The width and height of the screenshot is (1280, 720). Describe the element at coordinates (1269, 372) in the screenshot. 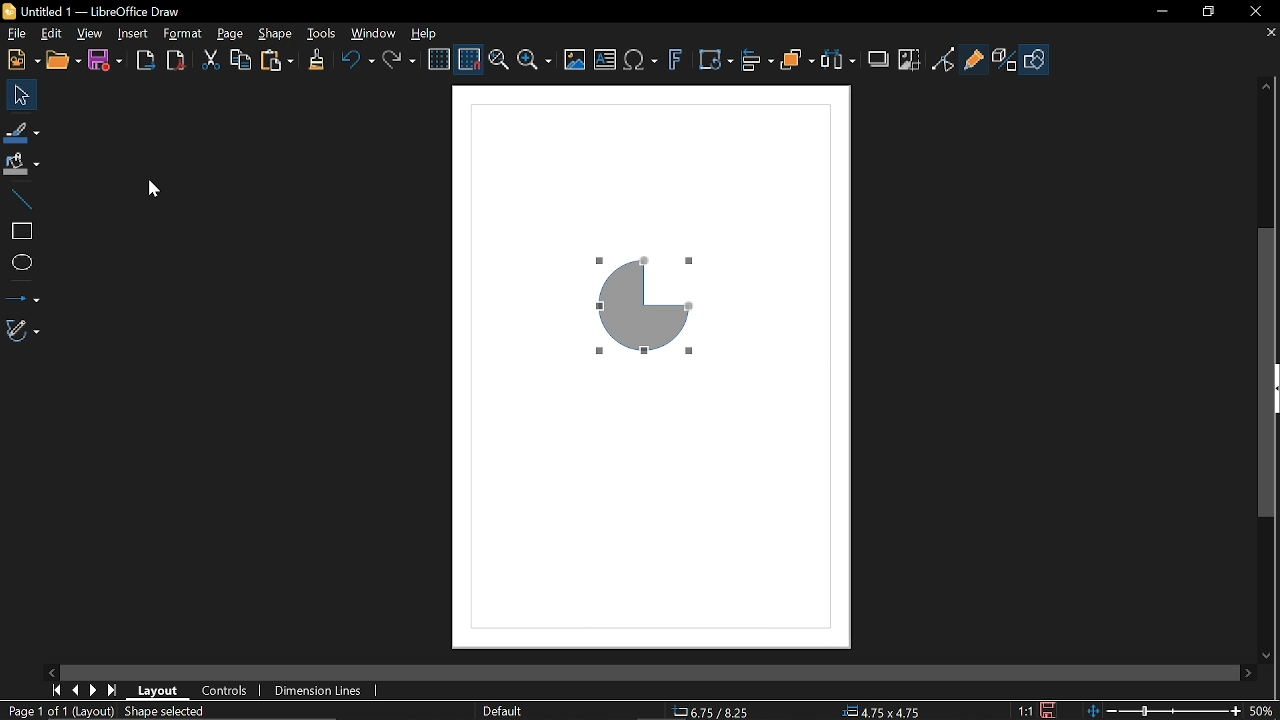

I see `Vertical scrollbar` at that location.